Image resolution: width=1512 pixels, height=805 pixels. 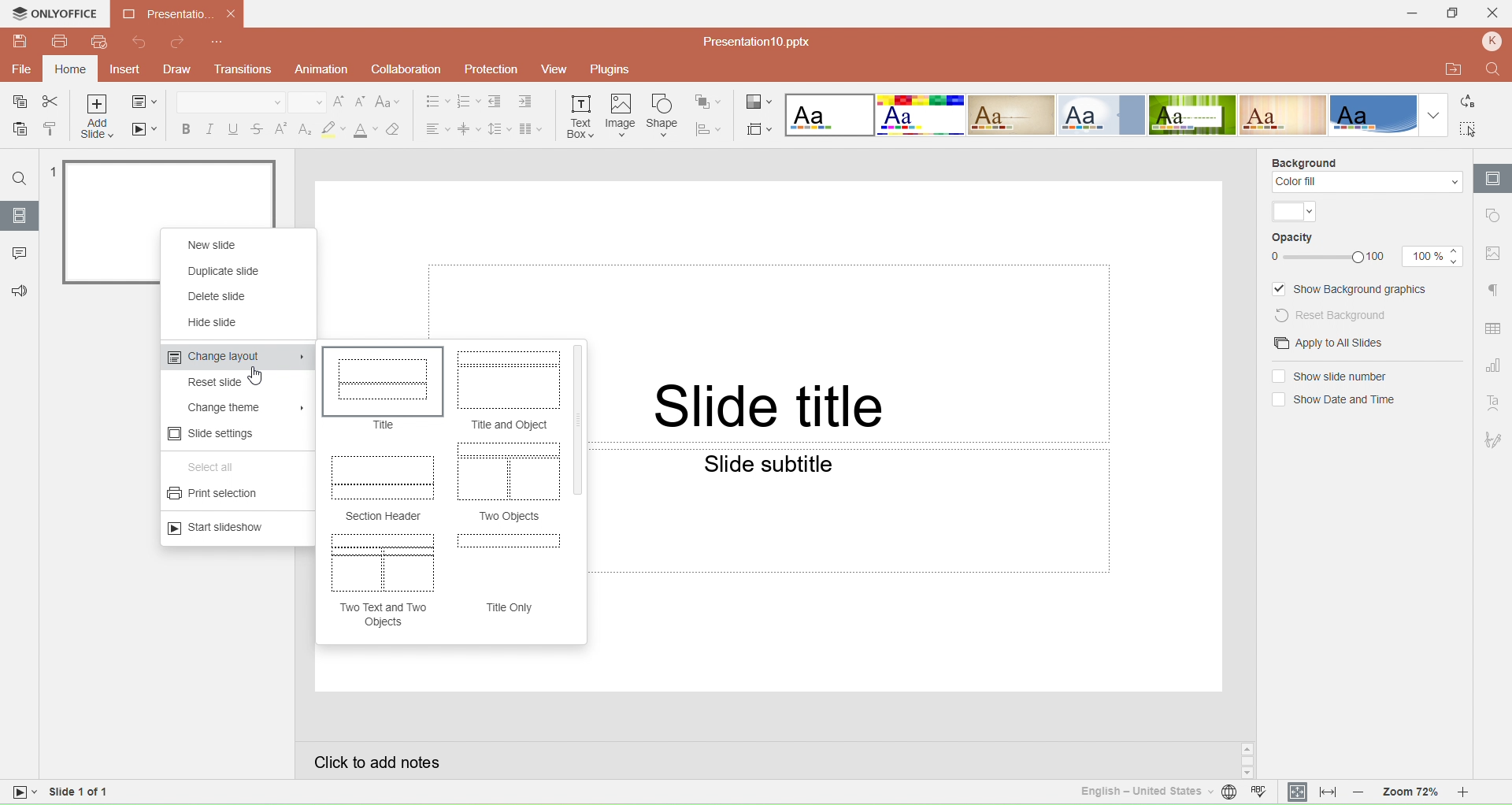 What do you see at coordinates (1247, 760) in the screenshot?
I see `Scroll button` at bounding box center [1247, 760].